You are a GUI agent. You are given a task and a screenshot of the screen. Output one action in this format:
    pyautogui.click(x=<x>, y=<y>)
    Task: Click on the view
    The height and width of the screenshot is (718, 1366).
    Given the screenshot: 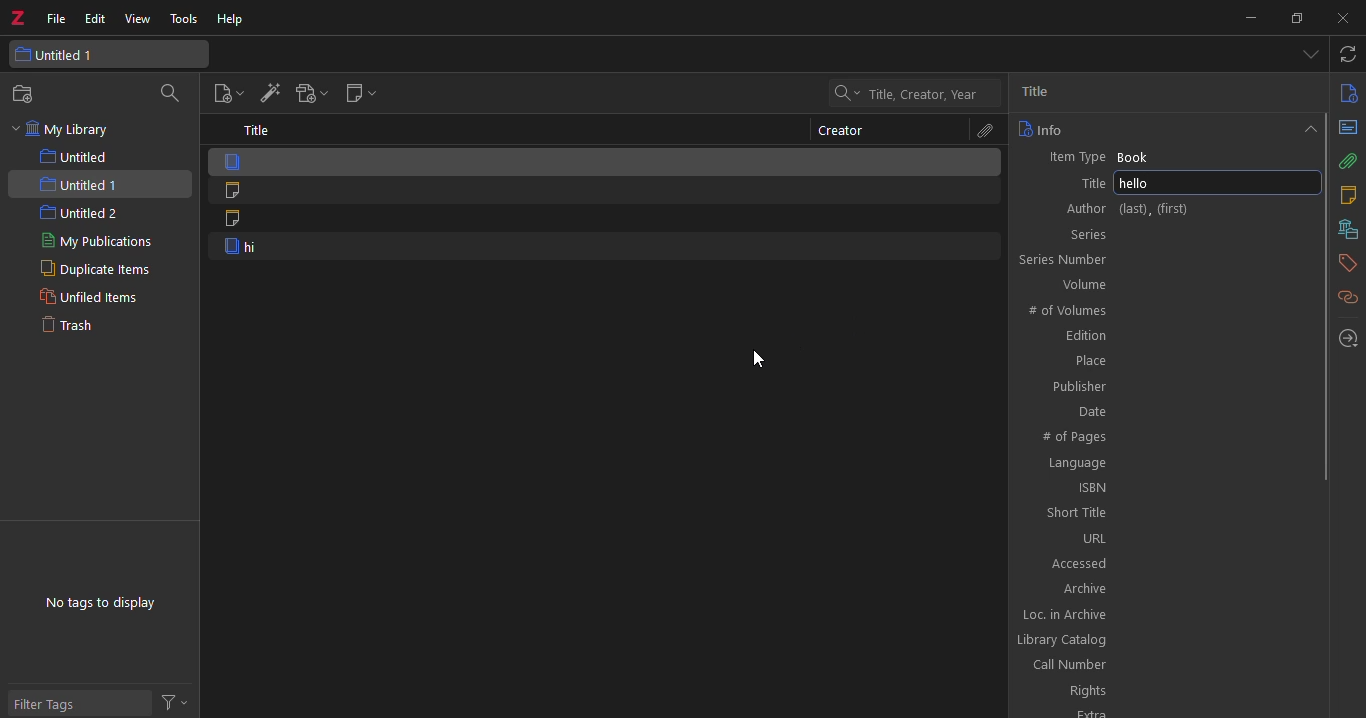 What is the action you would take?
    pyautogui.click(x=140, y=19)
    